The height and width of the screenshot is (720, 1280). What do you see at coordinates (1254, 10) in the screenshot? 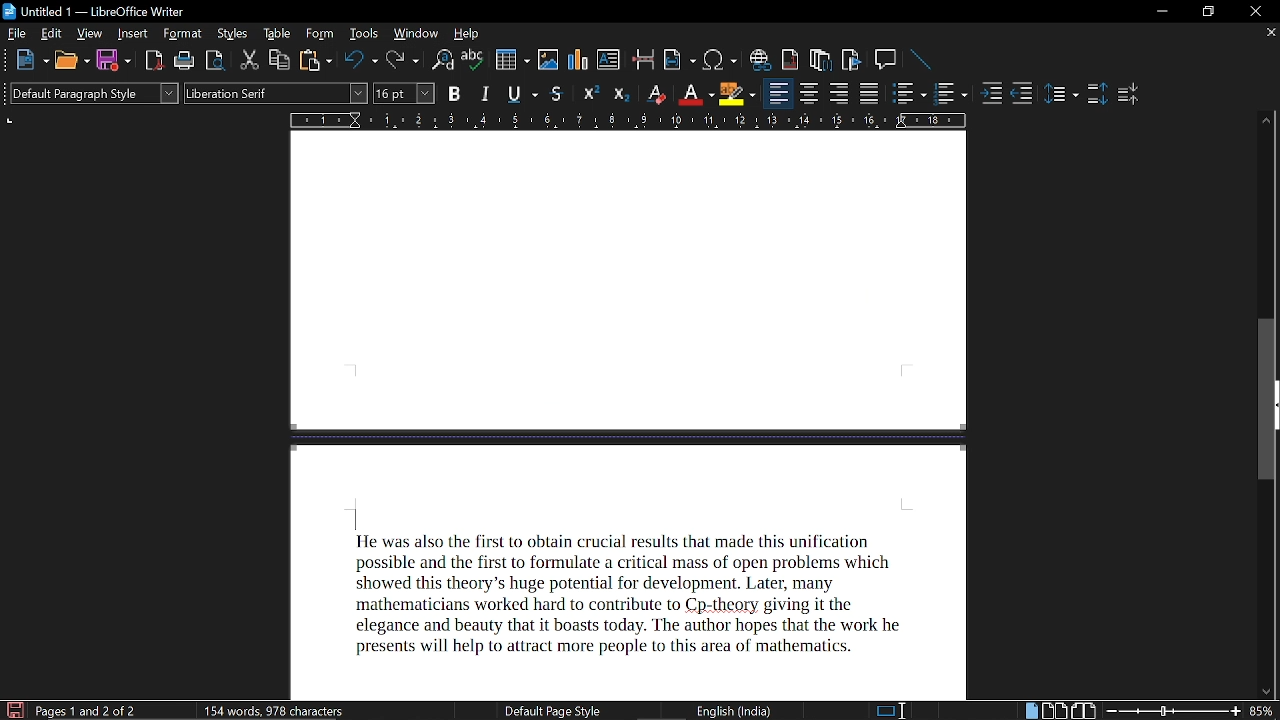
I see `close Close` at bounding box center [1254, 10].